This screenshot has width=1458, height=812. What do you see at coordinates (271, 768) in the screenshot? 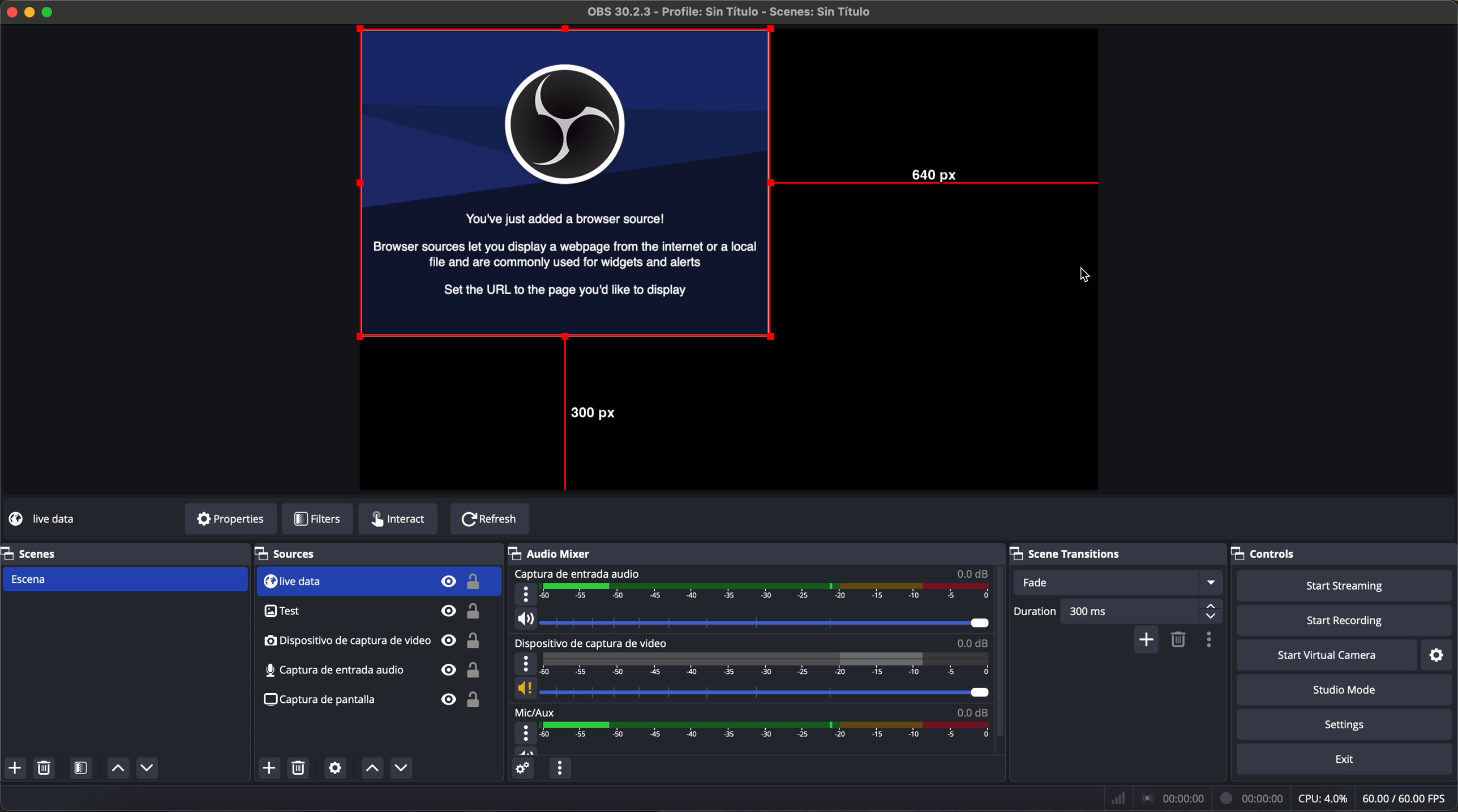
I see `click on add source` at bounding box center [271, 768].